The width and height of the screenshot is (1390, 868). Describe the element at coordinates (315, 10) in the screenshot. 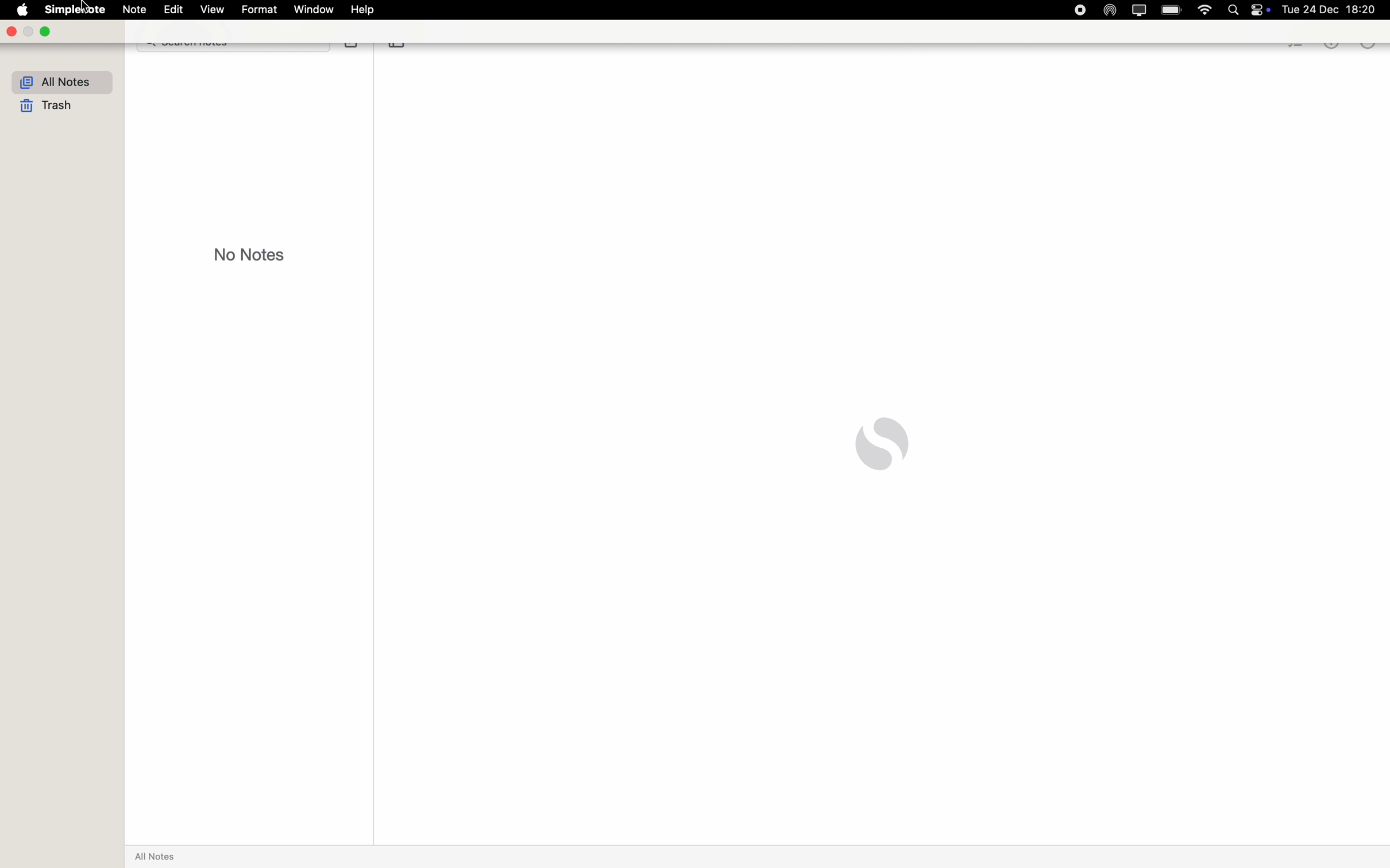

I see `window` at that location.